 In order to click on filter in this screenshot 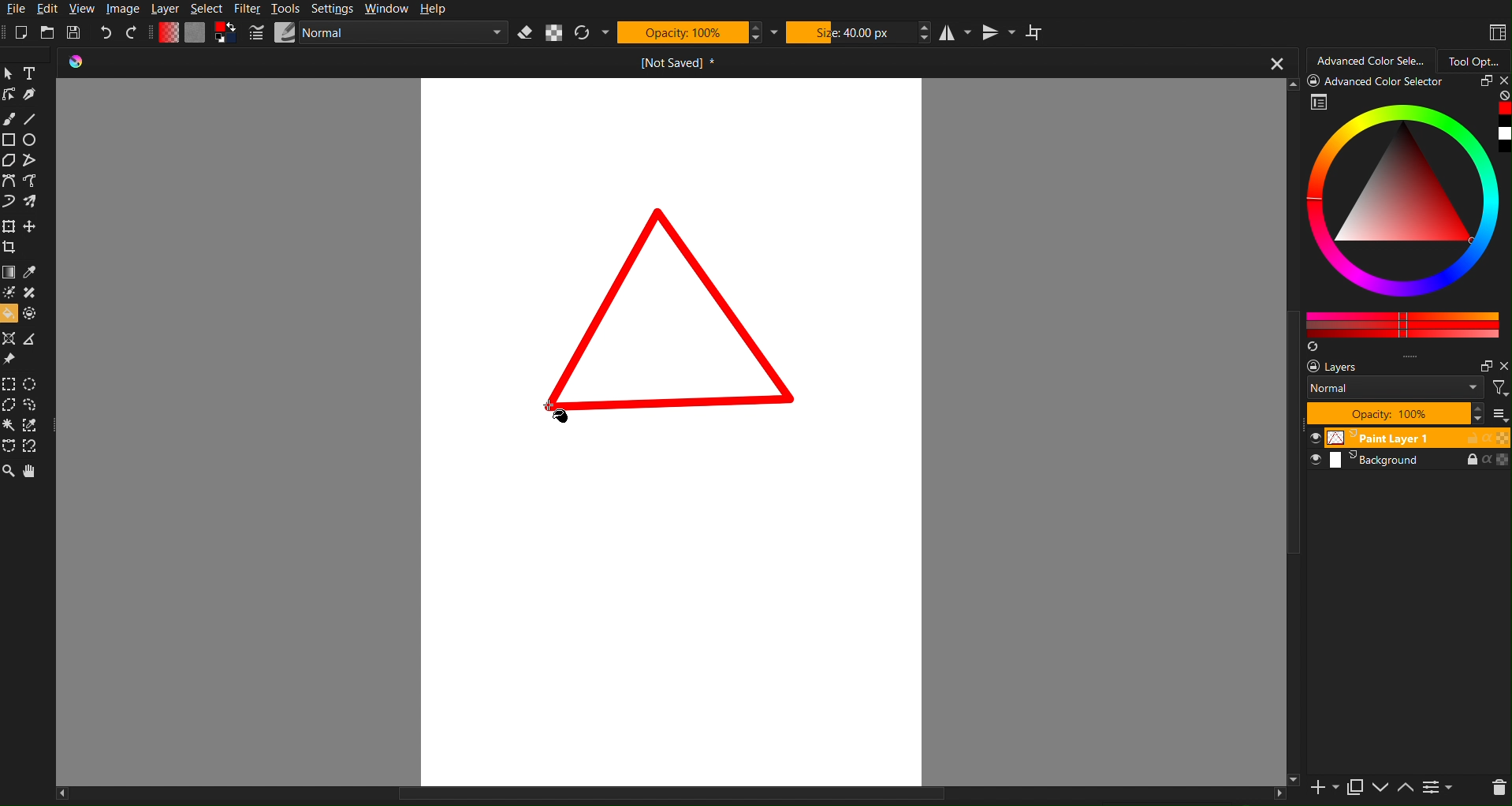, I will do `click(1500, 388)`.